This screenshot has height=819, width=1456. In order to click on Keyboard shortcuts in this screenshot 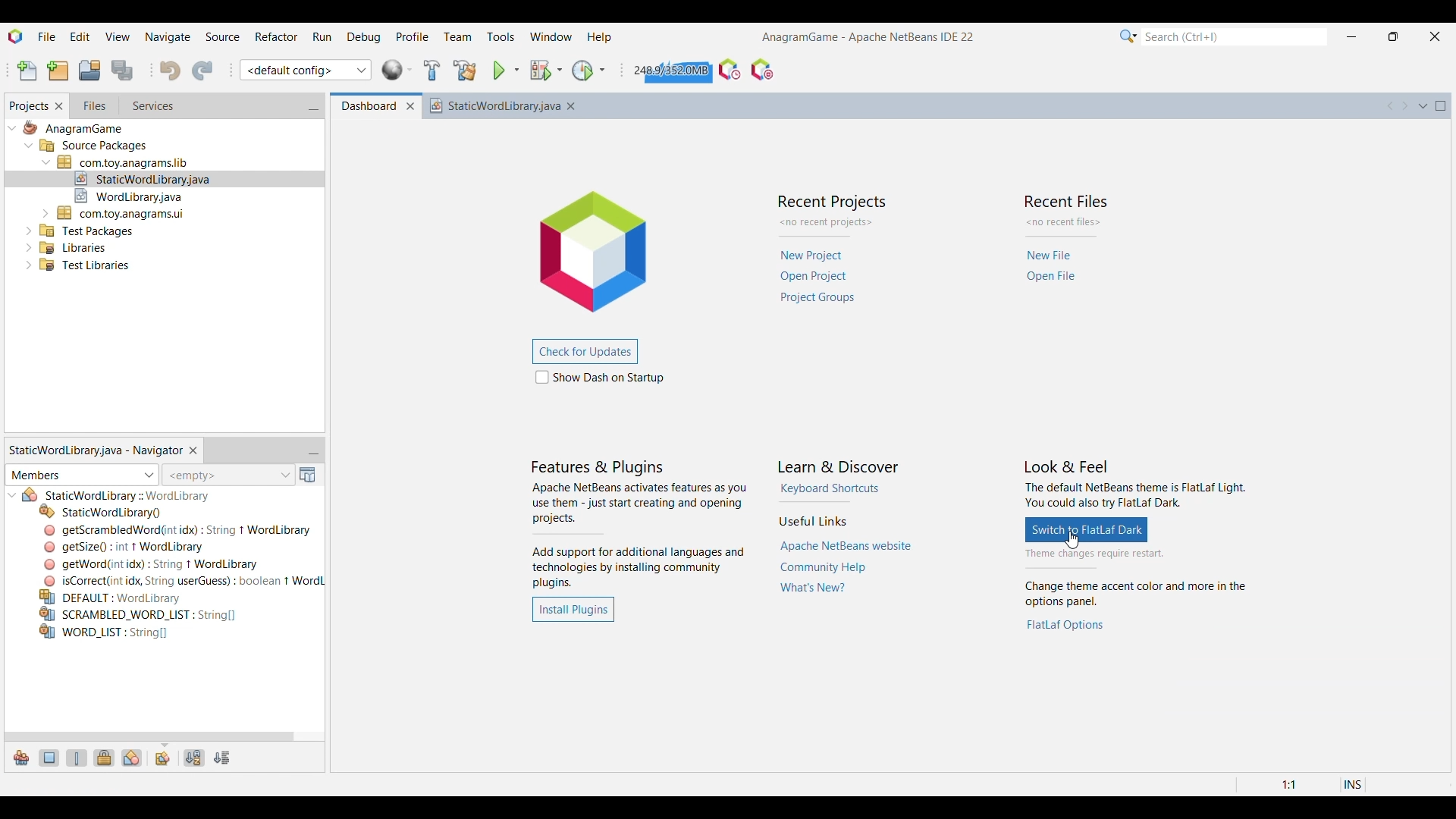, I will do `click(830, 488)`.